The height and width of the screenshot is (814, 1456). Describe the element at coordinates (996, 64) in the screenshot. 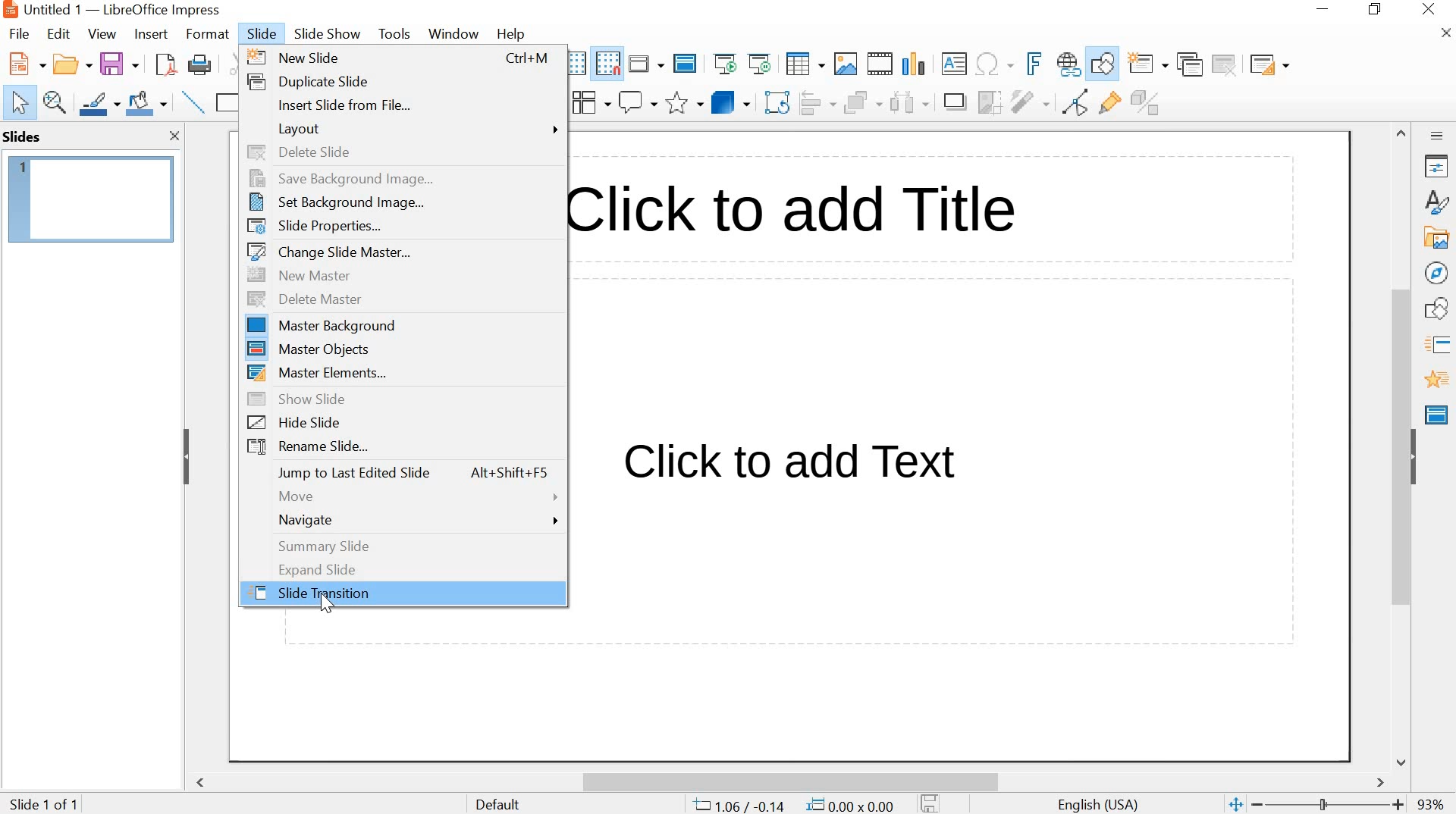

I see `Insert special characters` at that location.